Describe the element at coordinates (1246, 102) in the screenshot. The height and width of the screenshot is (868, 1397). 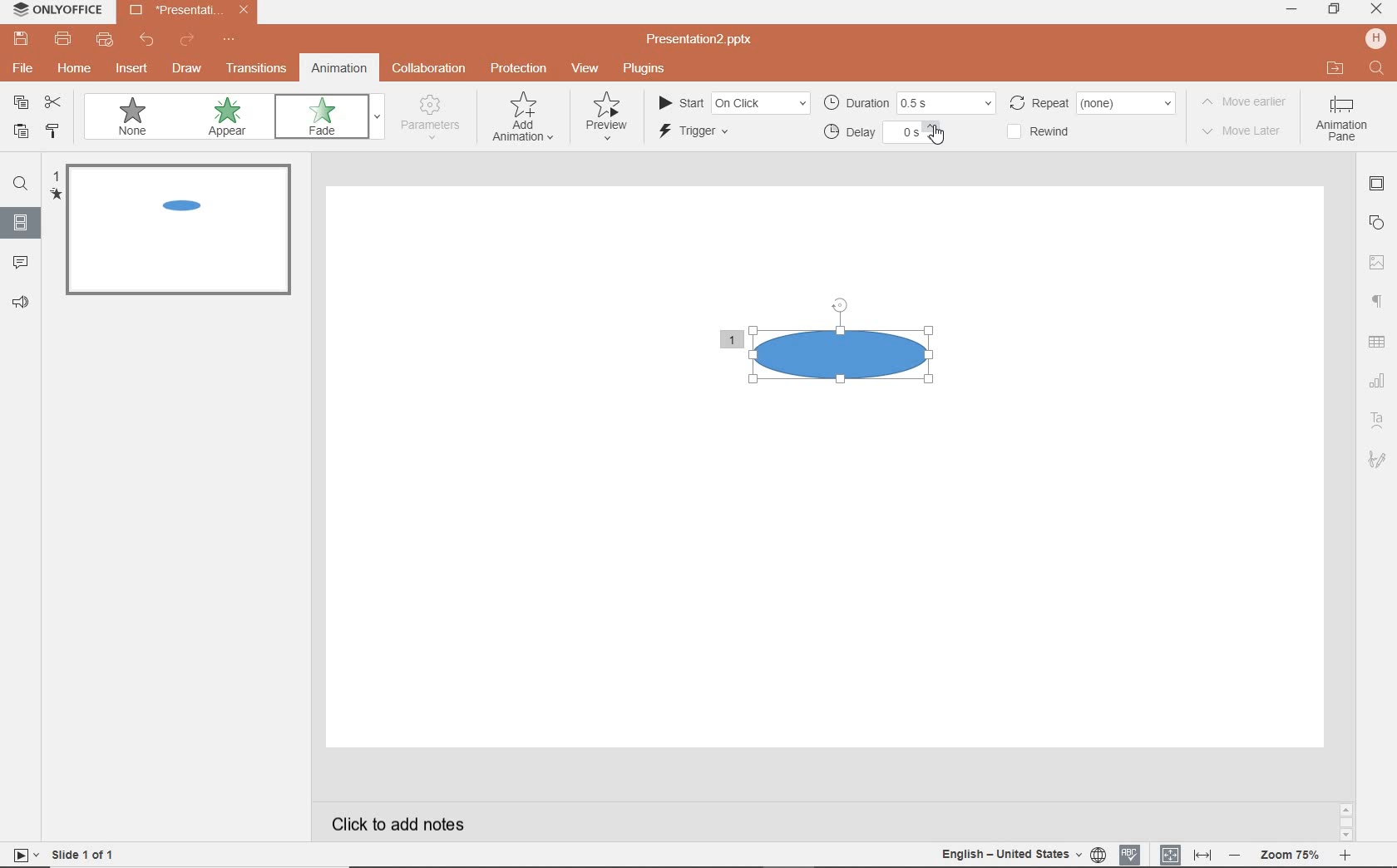
I see `move earlier` at that location.